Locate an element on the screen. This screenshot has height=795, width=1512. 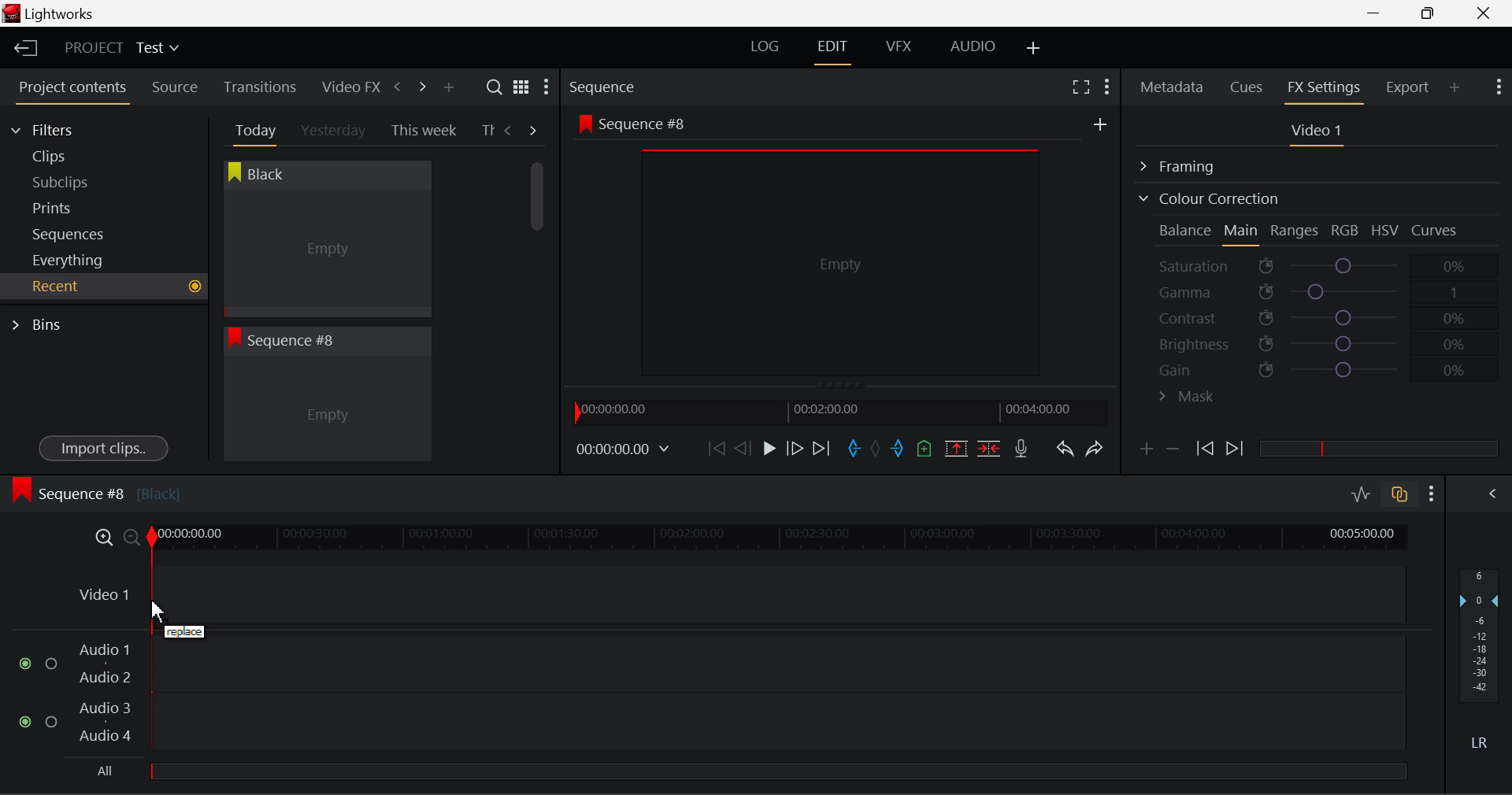
MOUSE_UP Cursor Position is located at coordinates (173, 615).